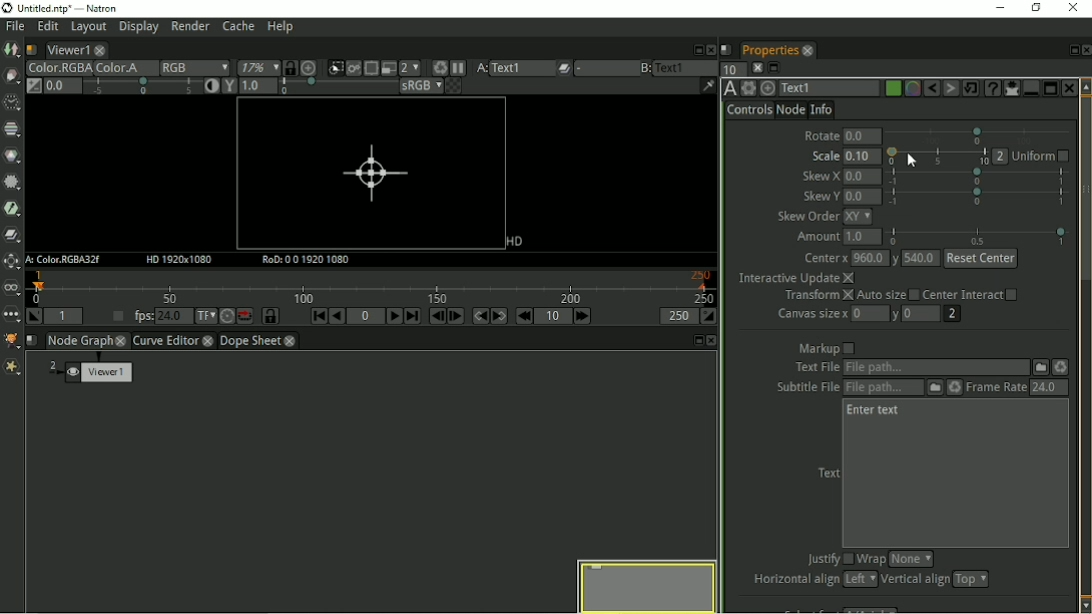 The image size is (1092, 614). What do you see at coordinates (992, 88) in the screenshot?
I see `Advanced text generator node` at bounding box center [992, 88].